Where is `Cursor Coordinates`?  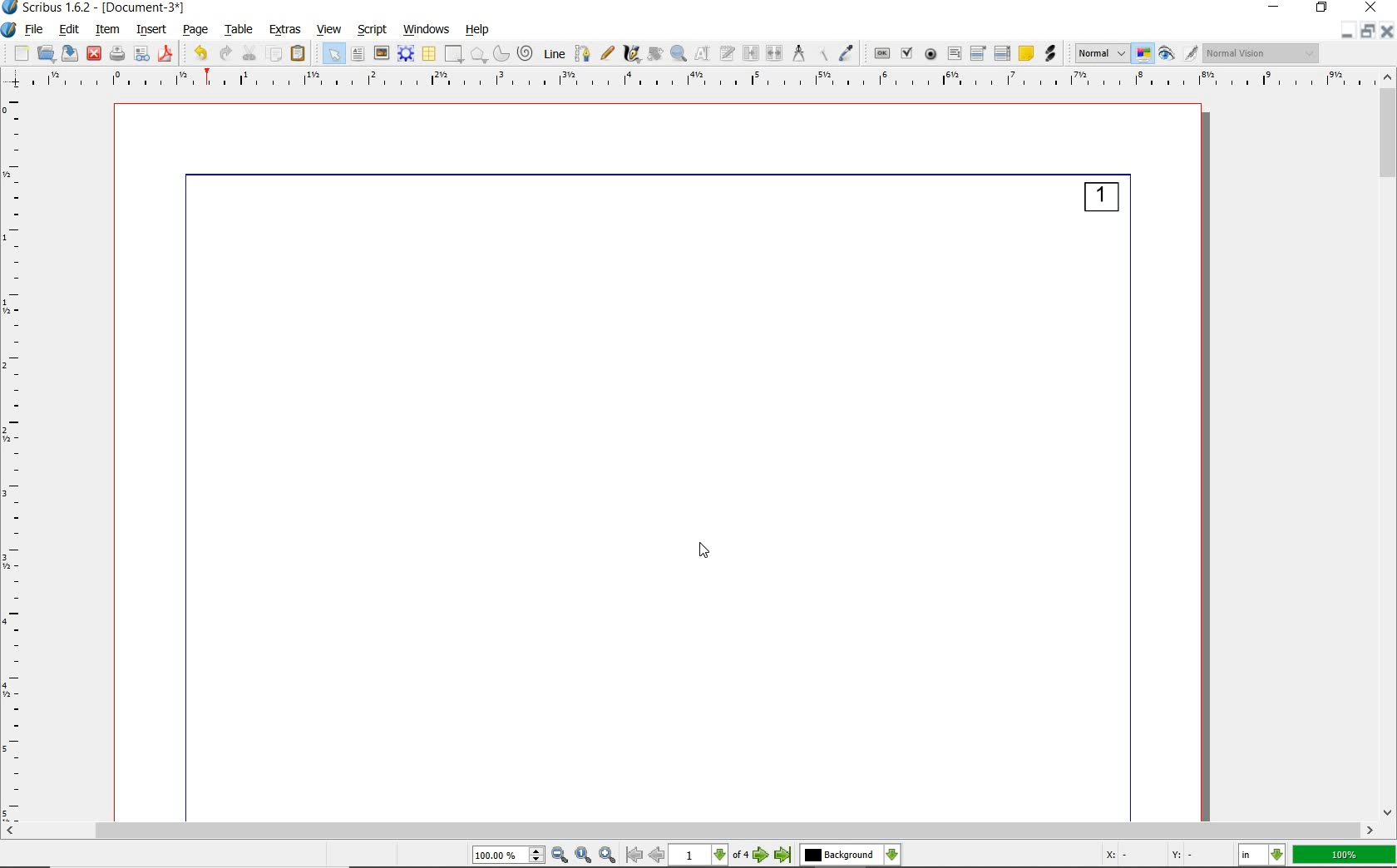
Cursor Coordinates is located at coordinates (1167, 856).